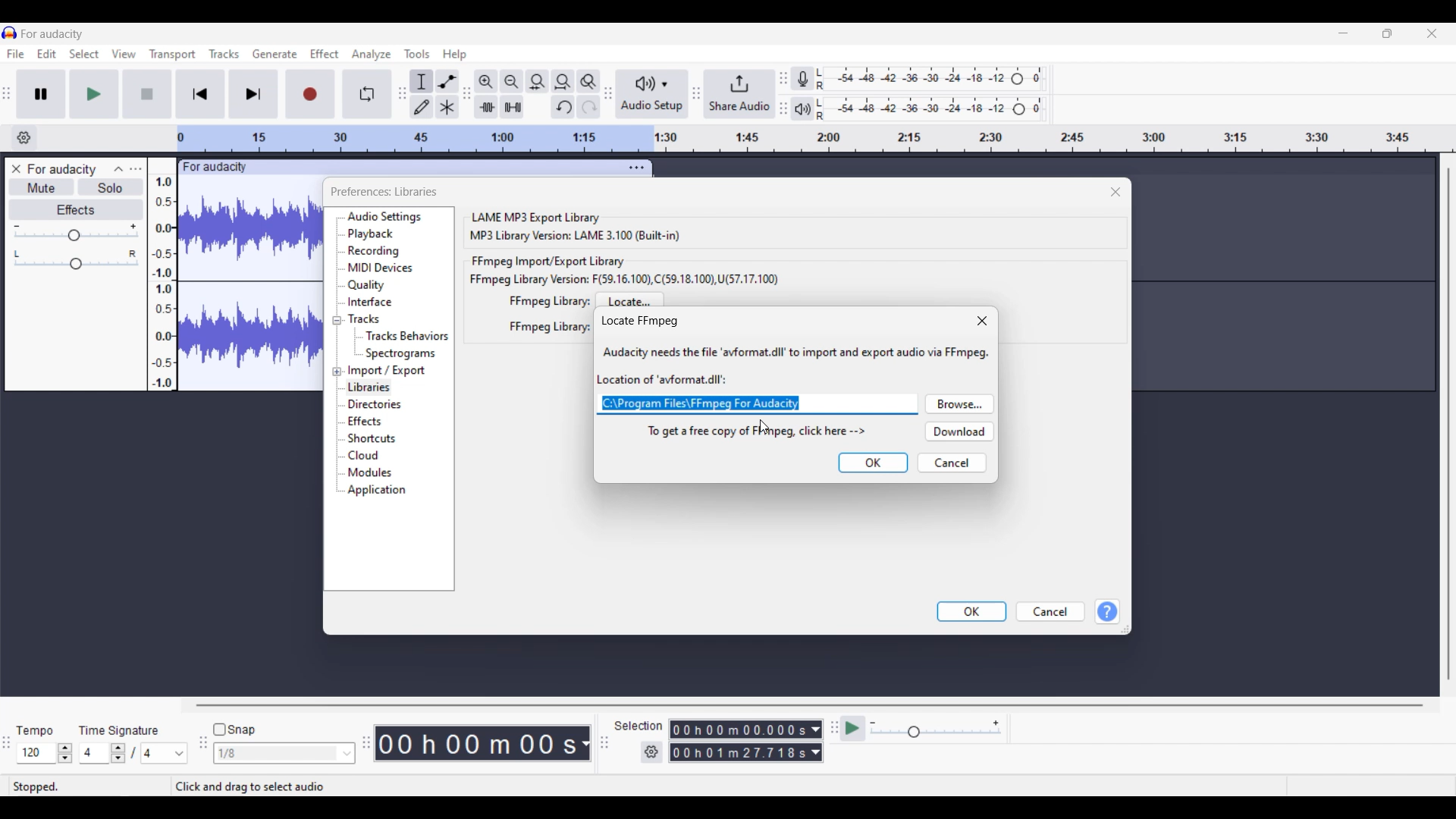  What do you see at coordinates (874, 463) in the screenshot?
I see `OK` at bounding box center [874, 463].